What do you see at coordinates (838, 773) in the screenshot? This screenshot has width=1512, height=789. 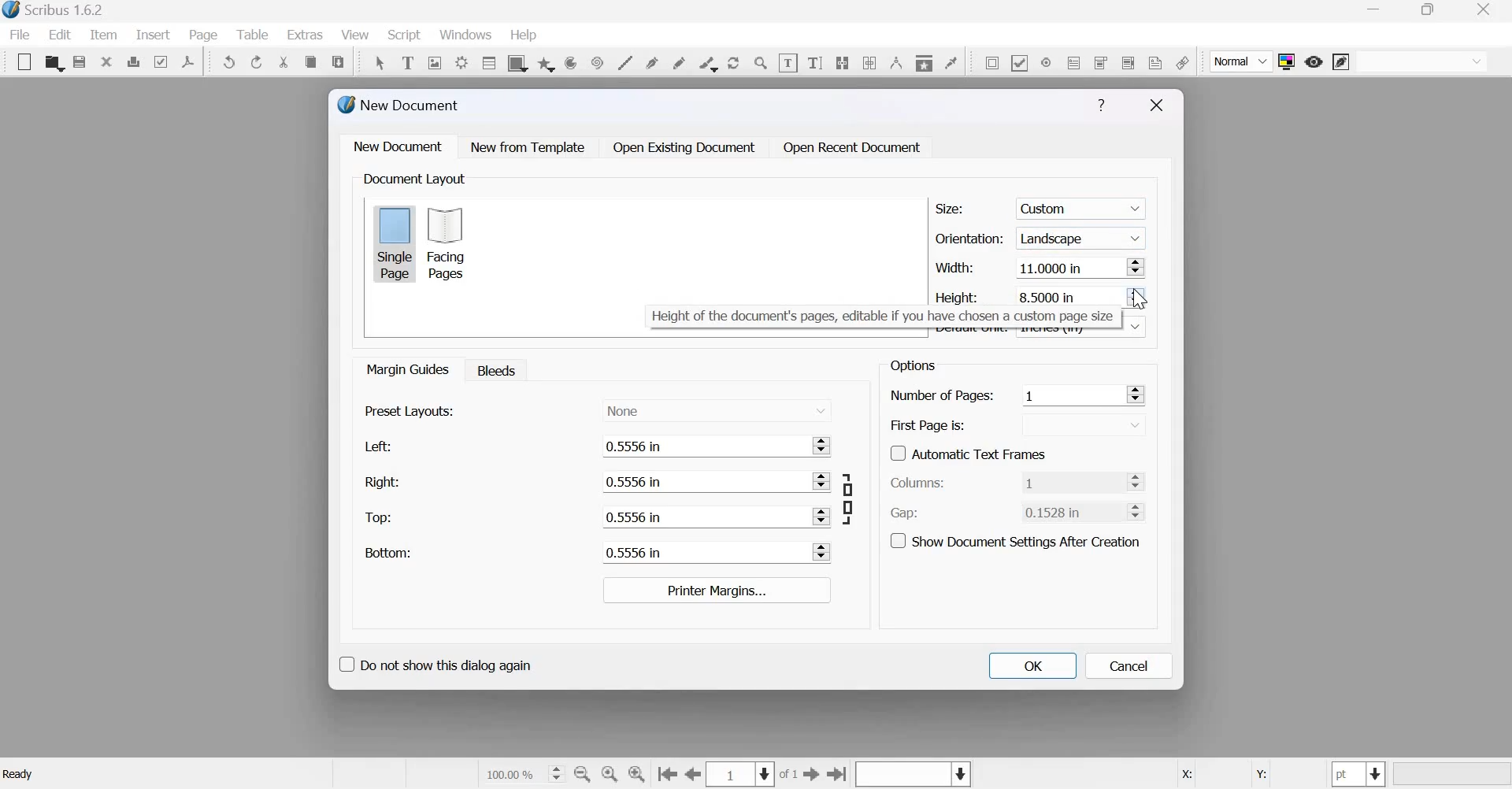 I see `Go to the last page` at bounding box center [838, 773].